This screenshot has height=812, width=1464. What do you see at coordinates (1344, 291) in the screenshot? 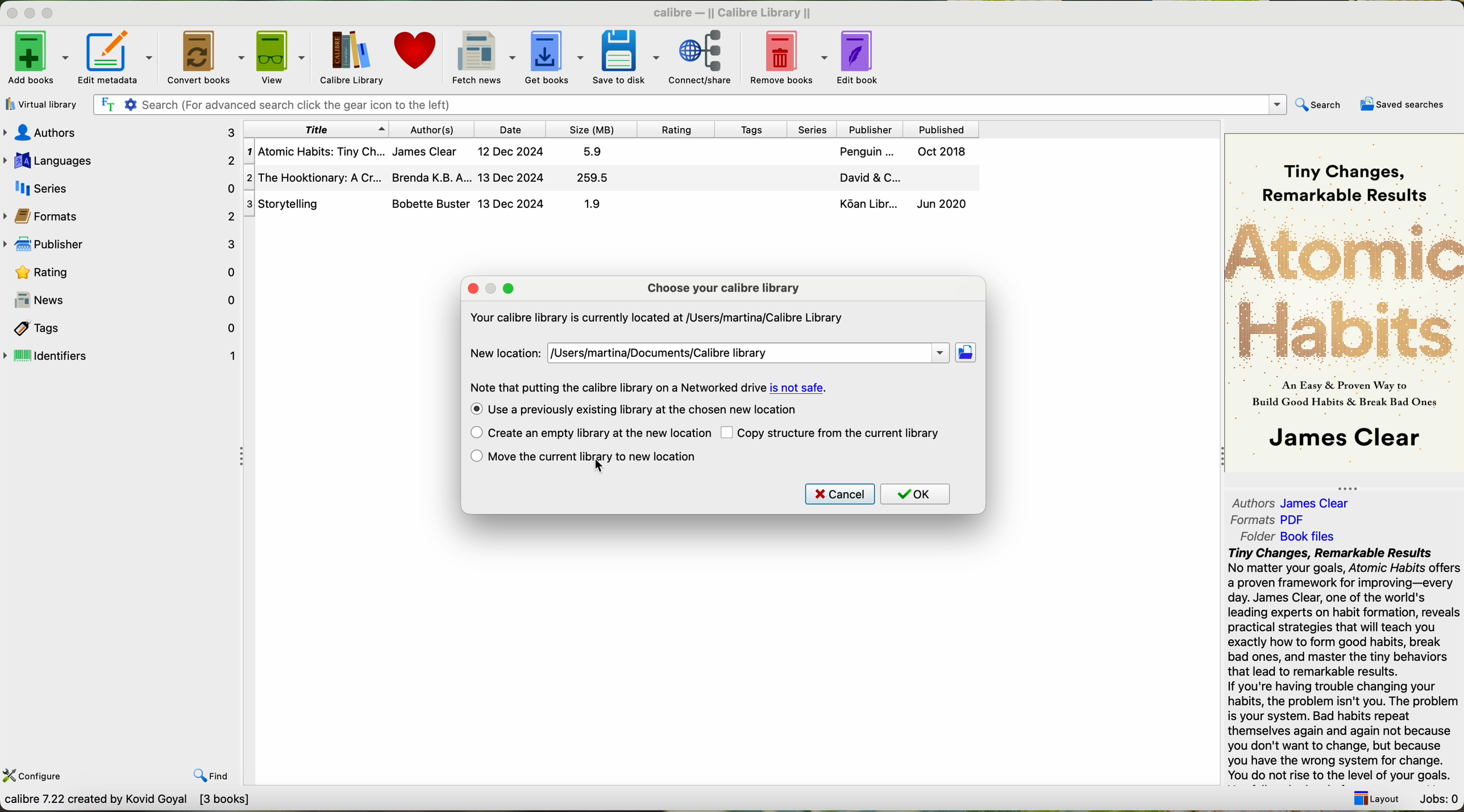
I see `Atomic Habits` at bounding box center [1344, 291].